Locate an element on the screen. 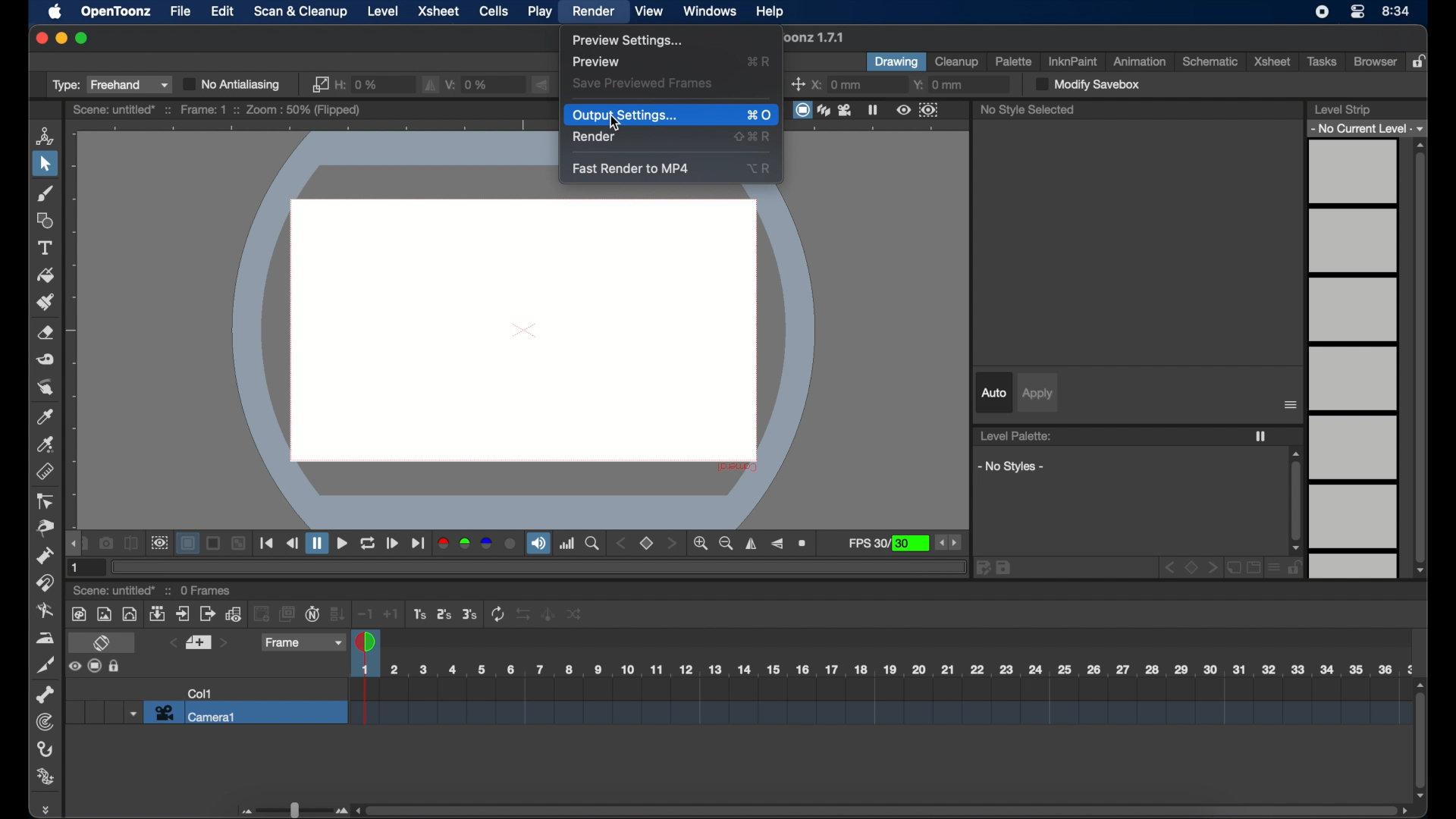  save previewed frames is located at coordinates (642, 83).